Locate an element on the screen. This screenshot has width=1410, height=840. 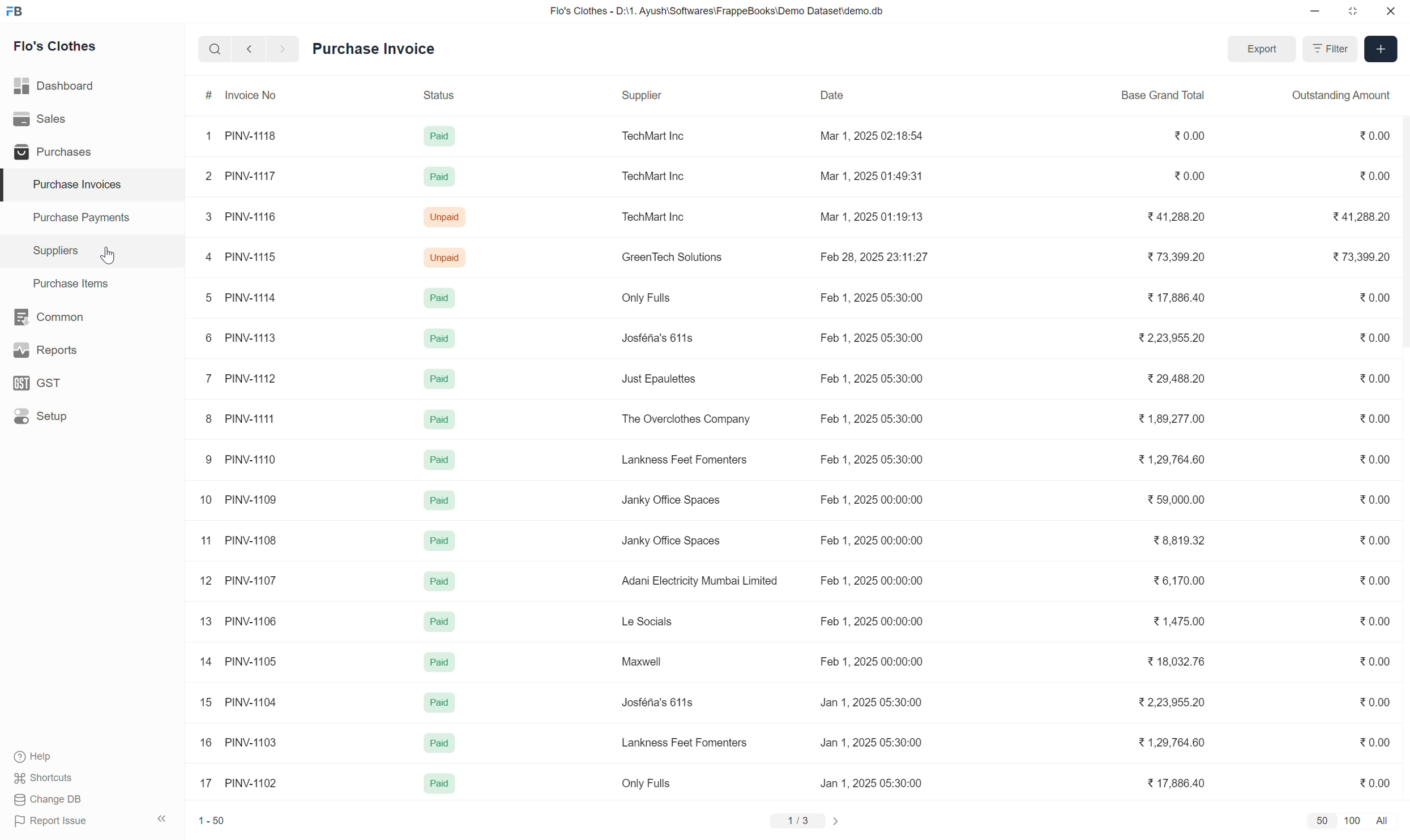
Just Epaulettes is located at coordinates (661, 378).